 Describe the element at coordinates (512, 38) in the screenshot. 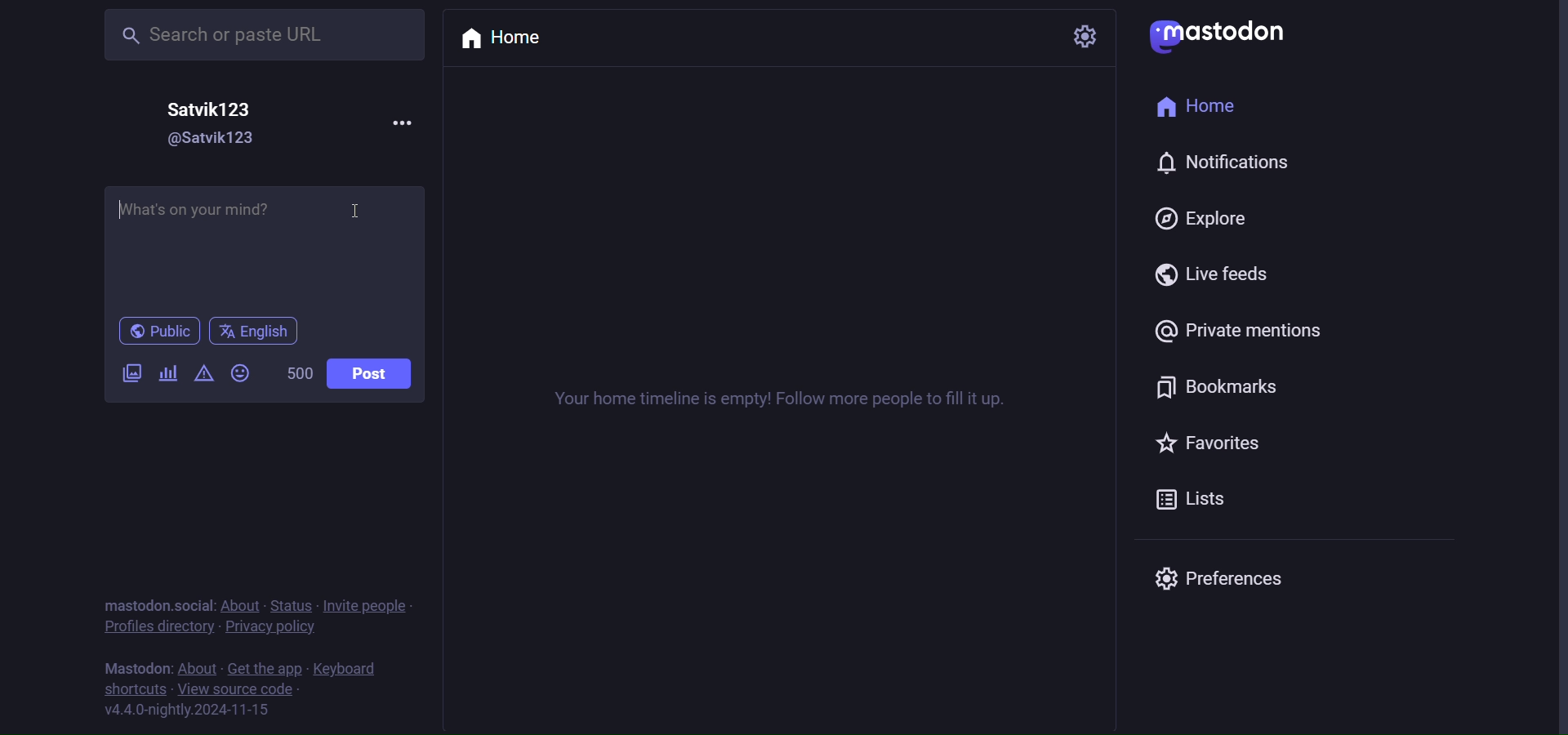

I see `home` at that location.